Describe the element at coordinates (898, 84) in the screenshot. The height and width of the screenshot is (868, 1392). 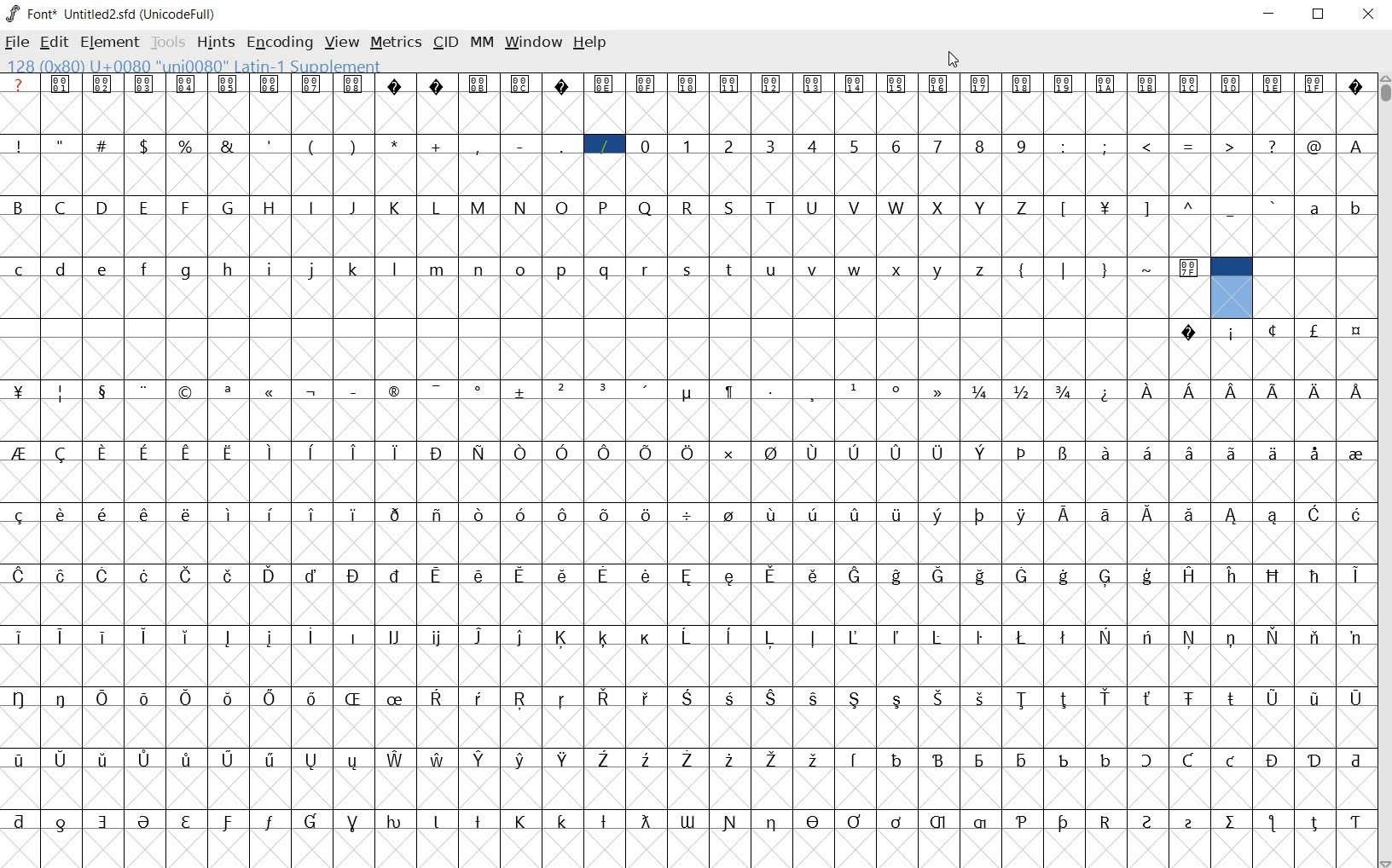
I see `Symbol` at that location.